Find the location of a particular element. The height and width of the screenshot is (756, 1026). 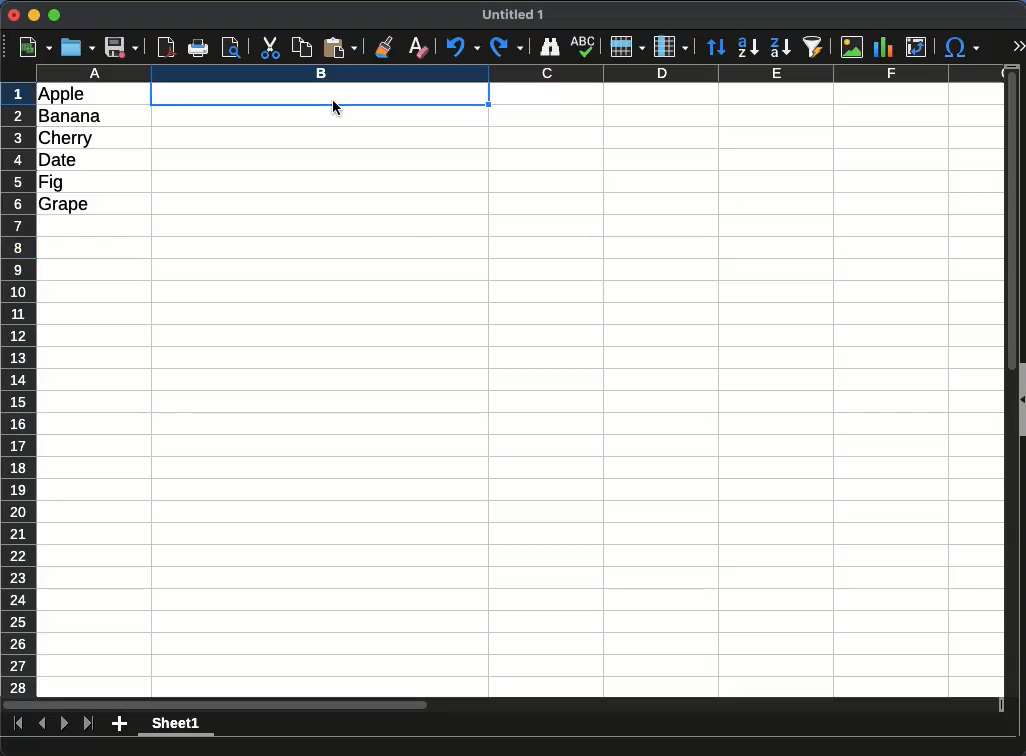

expand is located at coordinates (1019, 46).